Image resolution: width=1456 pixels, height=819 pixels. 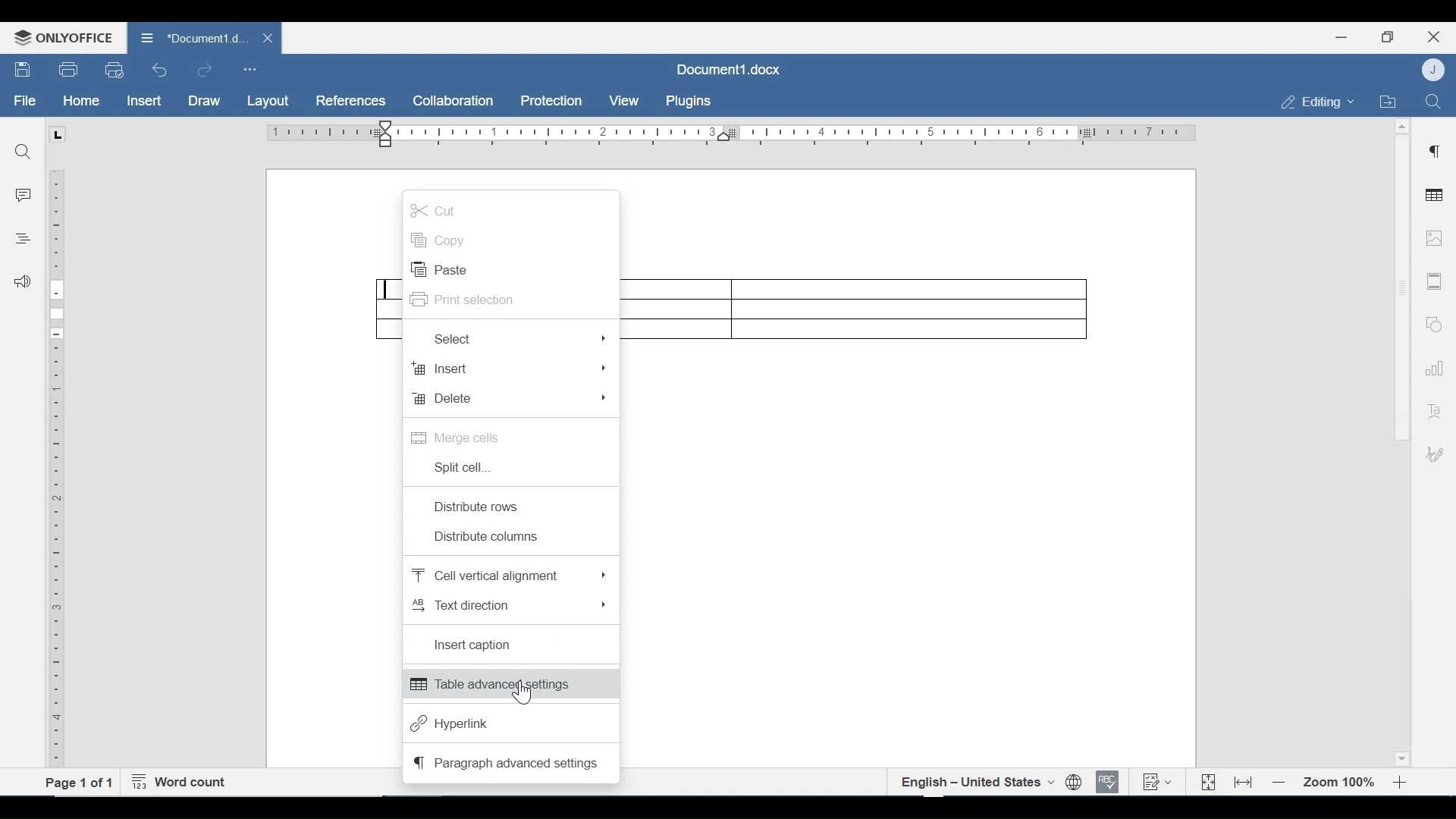 I want to click on Zoom 100%, so click(x=1340, y=783).